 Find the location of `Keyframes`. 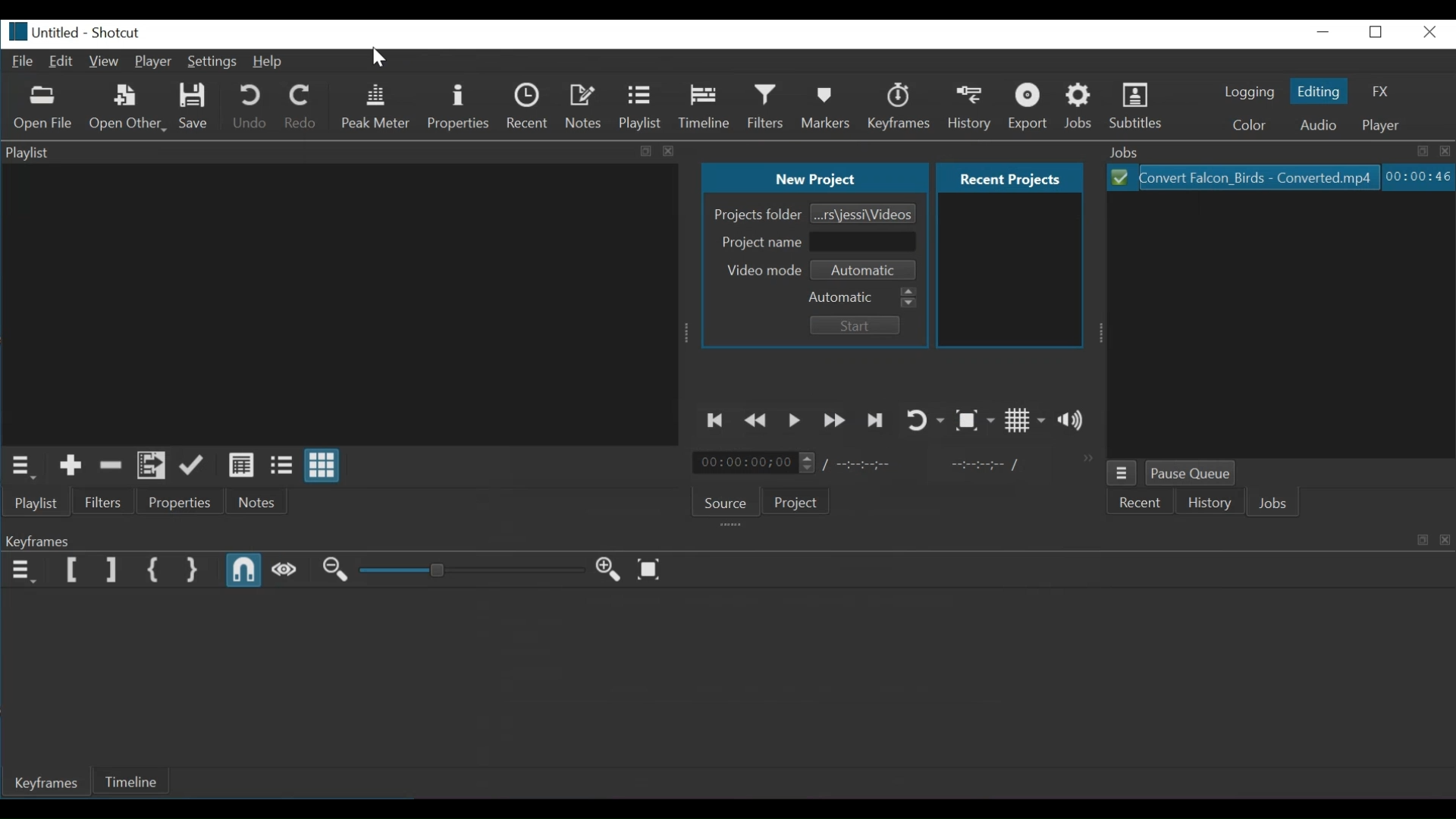

Keyframes is located at coordinates (898, 108).